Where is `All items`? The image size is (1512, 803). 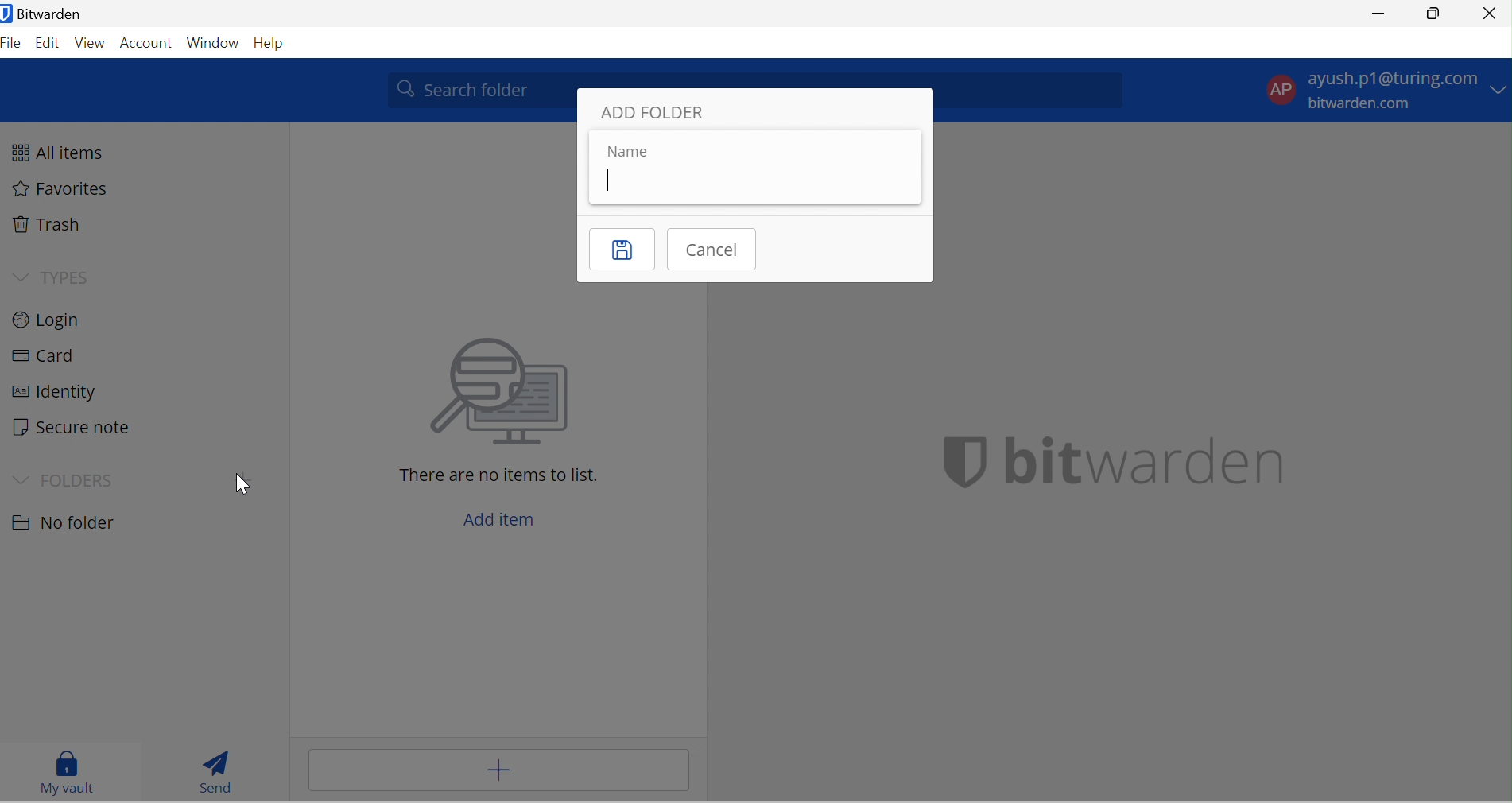 All items is located at coordinates (66, 151).